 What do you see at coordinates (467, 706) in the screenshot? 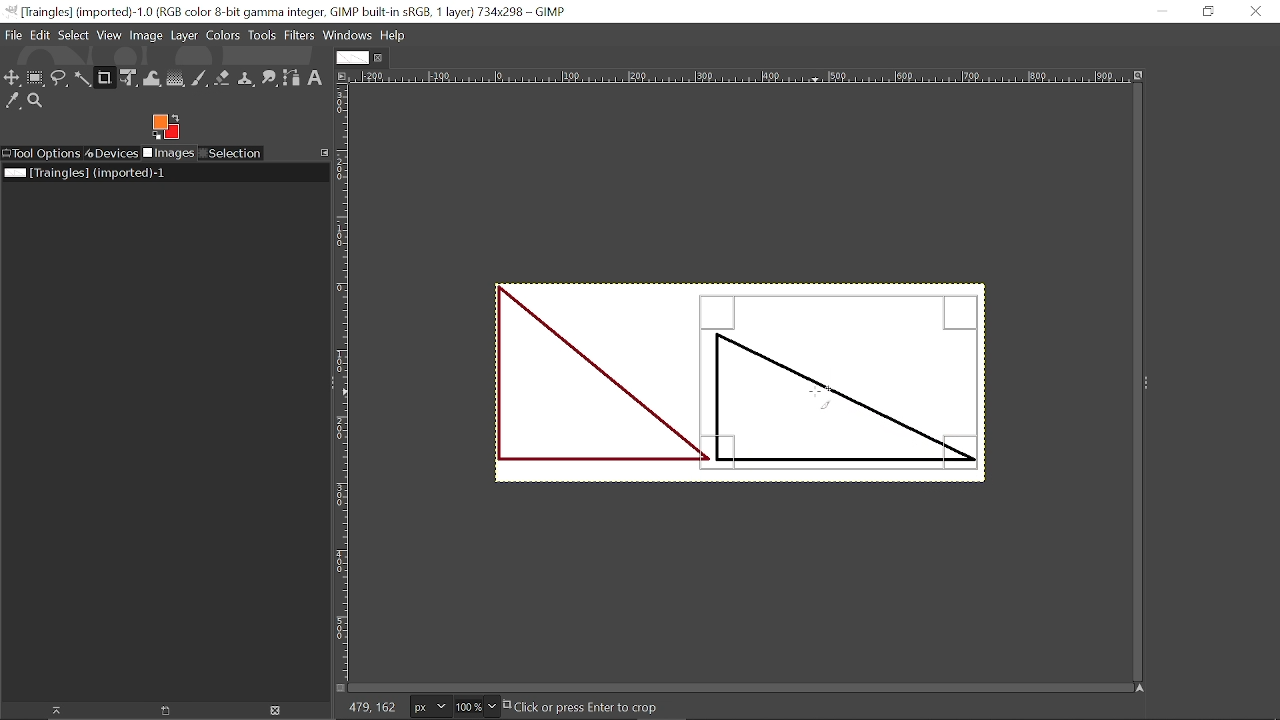
I see `Current zoom` at bounding box center [467, 706].